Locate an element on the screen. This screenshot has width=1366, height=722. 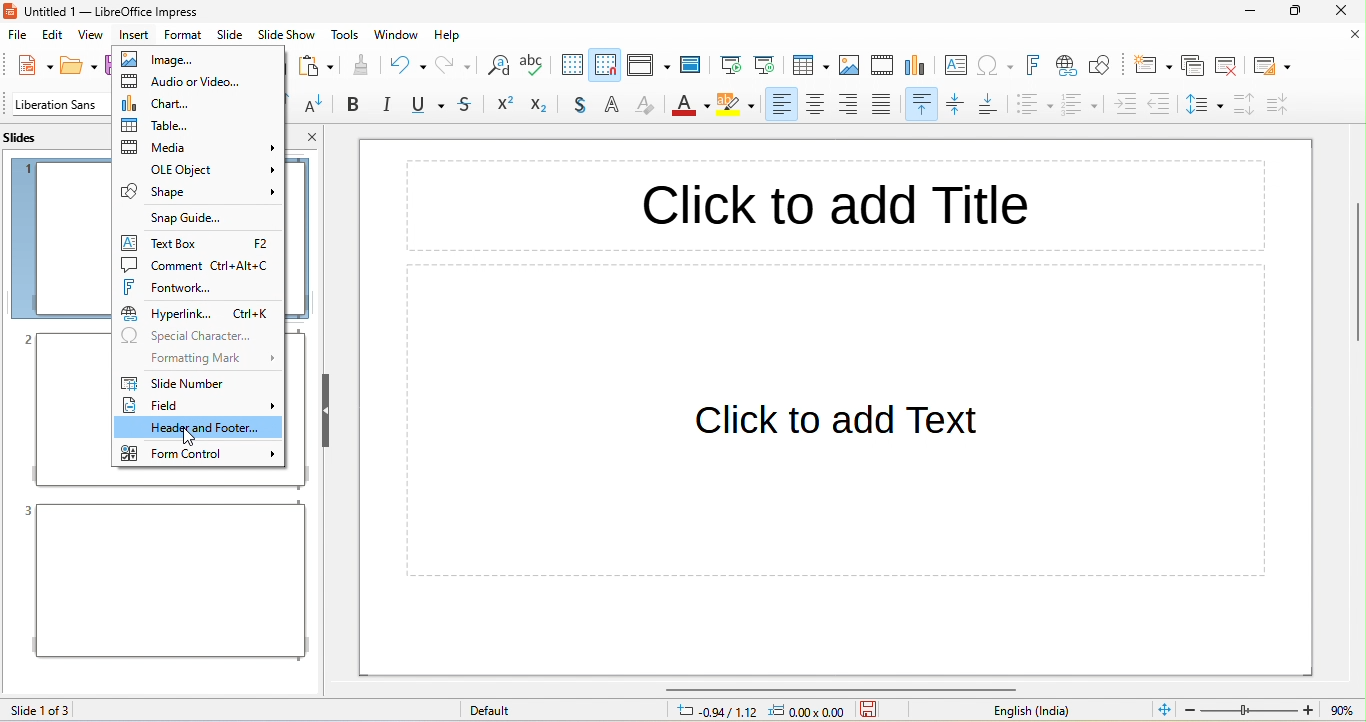
subscript is located at coordinates (545, 106).